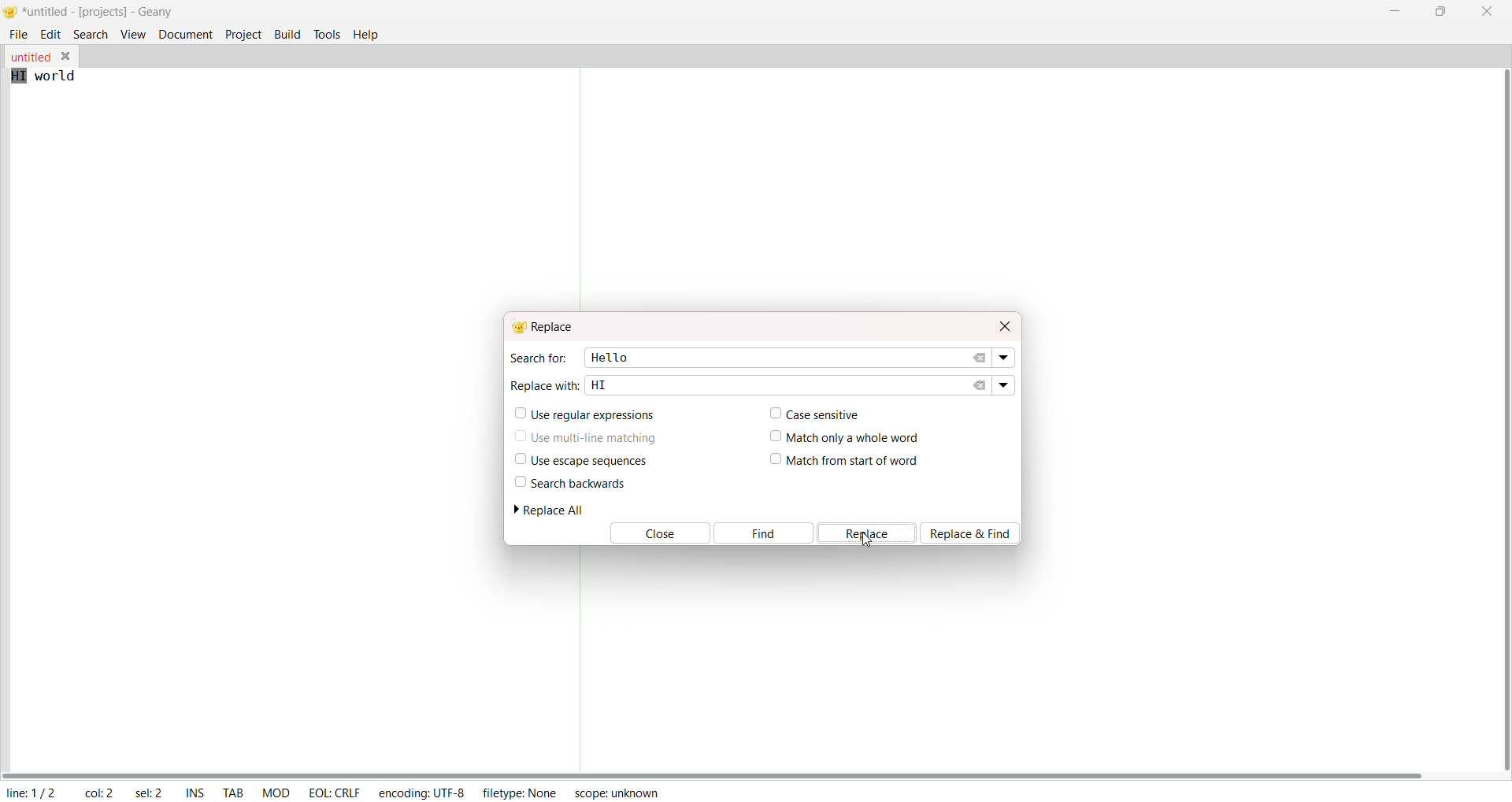  What do you see at coordinates (599, 384) in the screenshot?
I see `HI` at bounding box center [599, 384].